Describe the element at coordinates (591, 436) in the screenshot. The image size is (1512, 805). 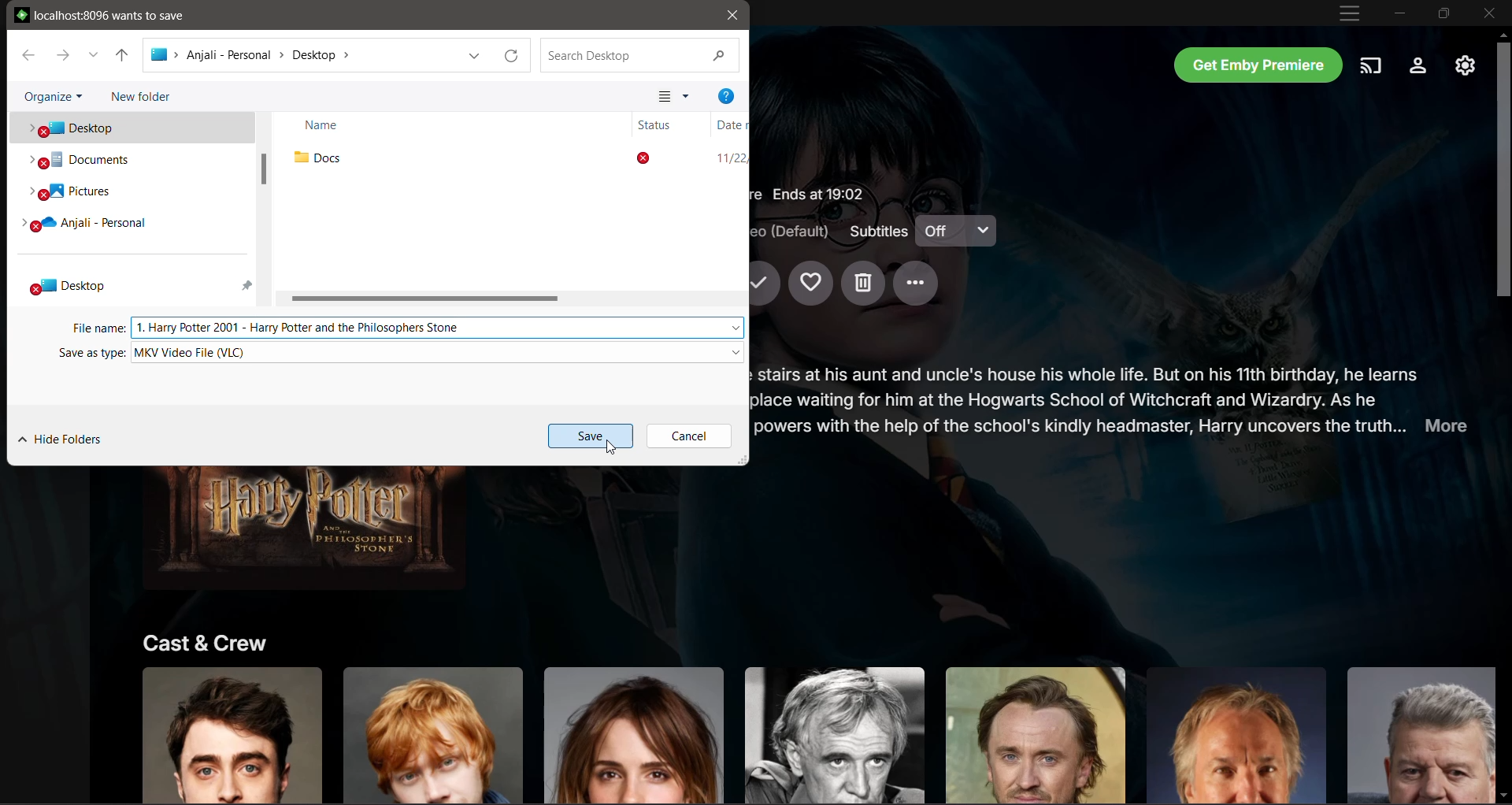
I see `Save` at that location.